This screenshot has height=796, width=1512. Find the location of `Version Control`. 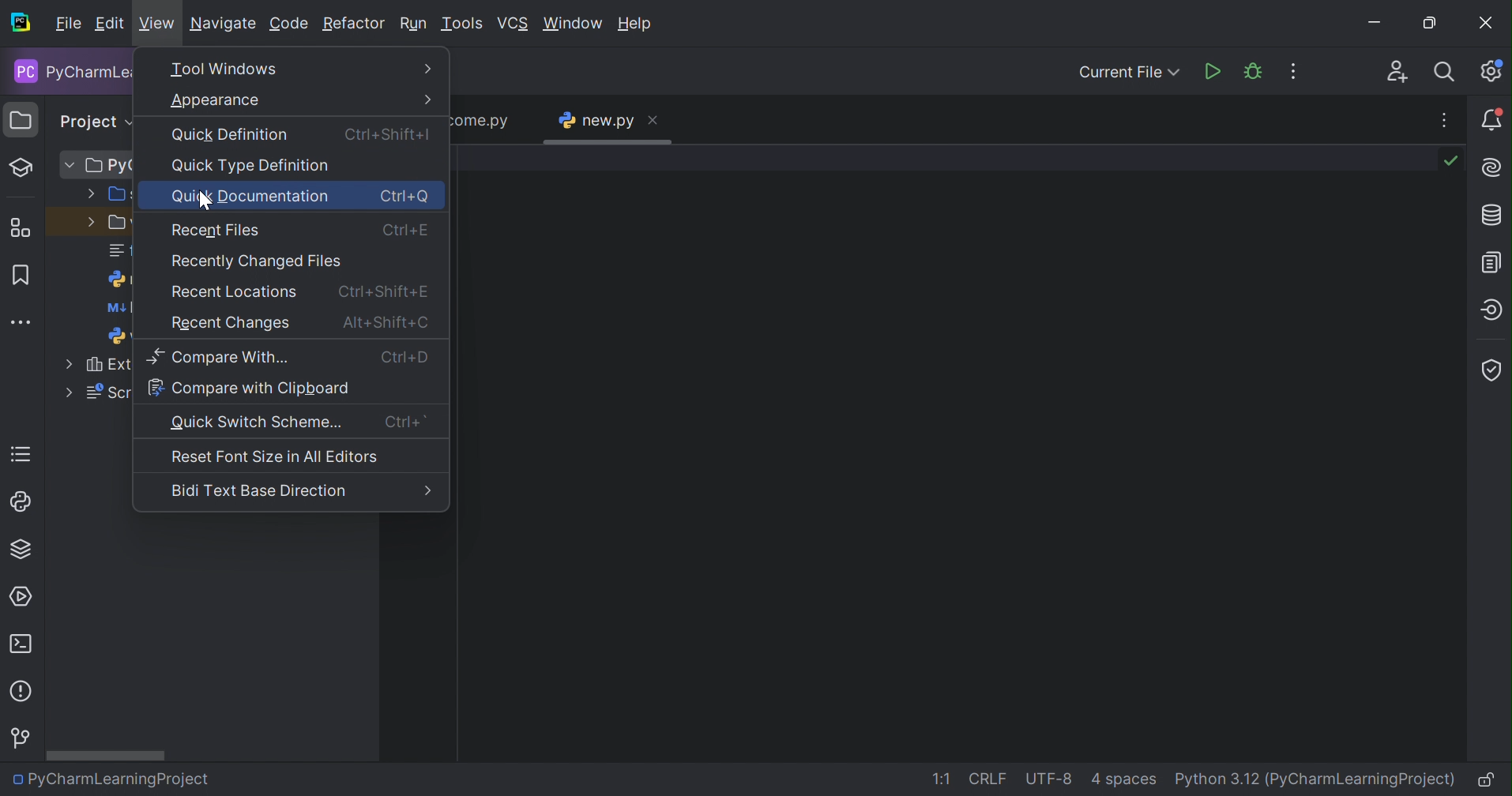

Version Control is located at coordinates (22, 738).